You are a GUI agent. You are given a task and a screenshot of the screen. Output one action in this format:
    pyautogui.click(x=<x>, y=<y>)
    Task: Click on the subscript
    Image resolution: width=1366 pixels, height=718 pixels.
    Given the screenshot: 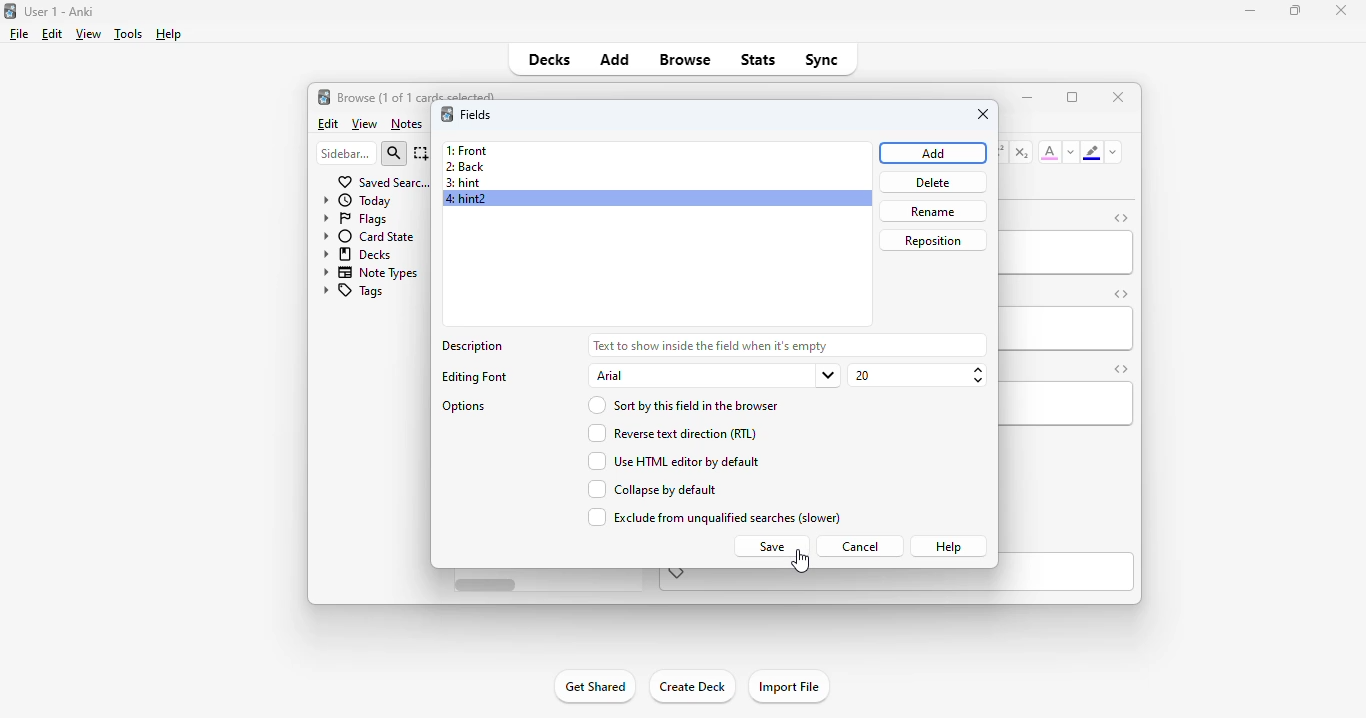 What is the action you would take?
    pyautogui.click(x=1021, y=152)
    